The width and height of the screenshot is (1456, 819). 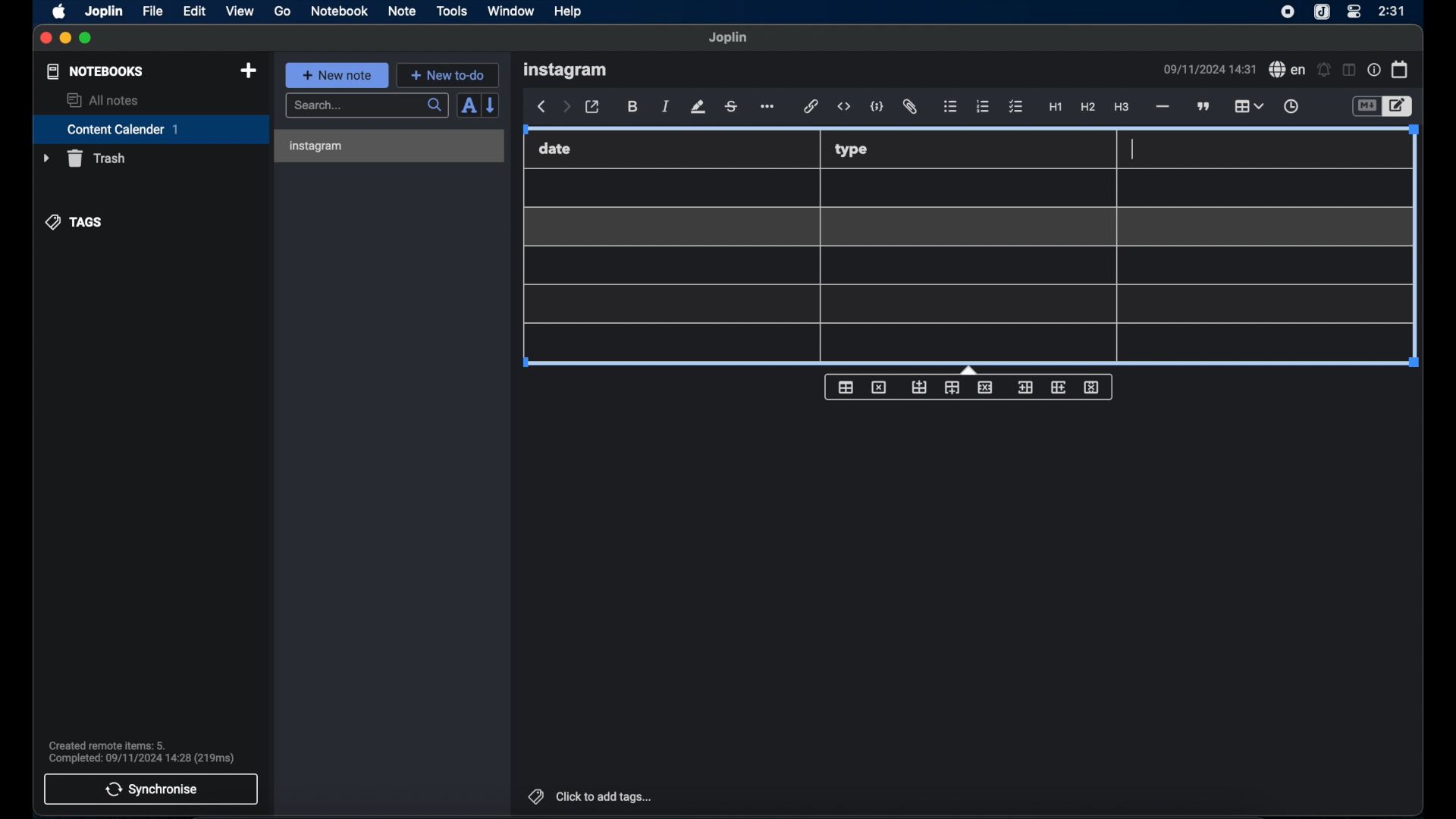 What do you see at coordinates (1092, 388) in the screenshot?
I see `delete column` at bounding box center [1092, 388].